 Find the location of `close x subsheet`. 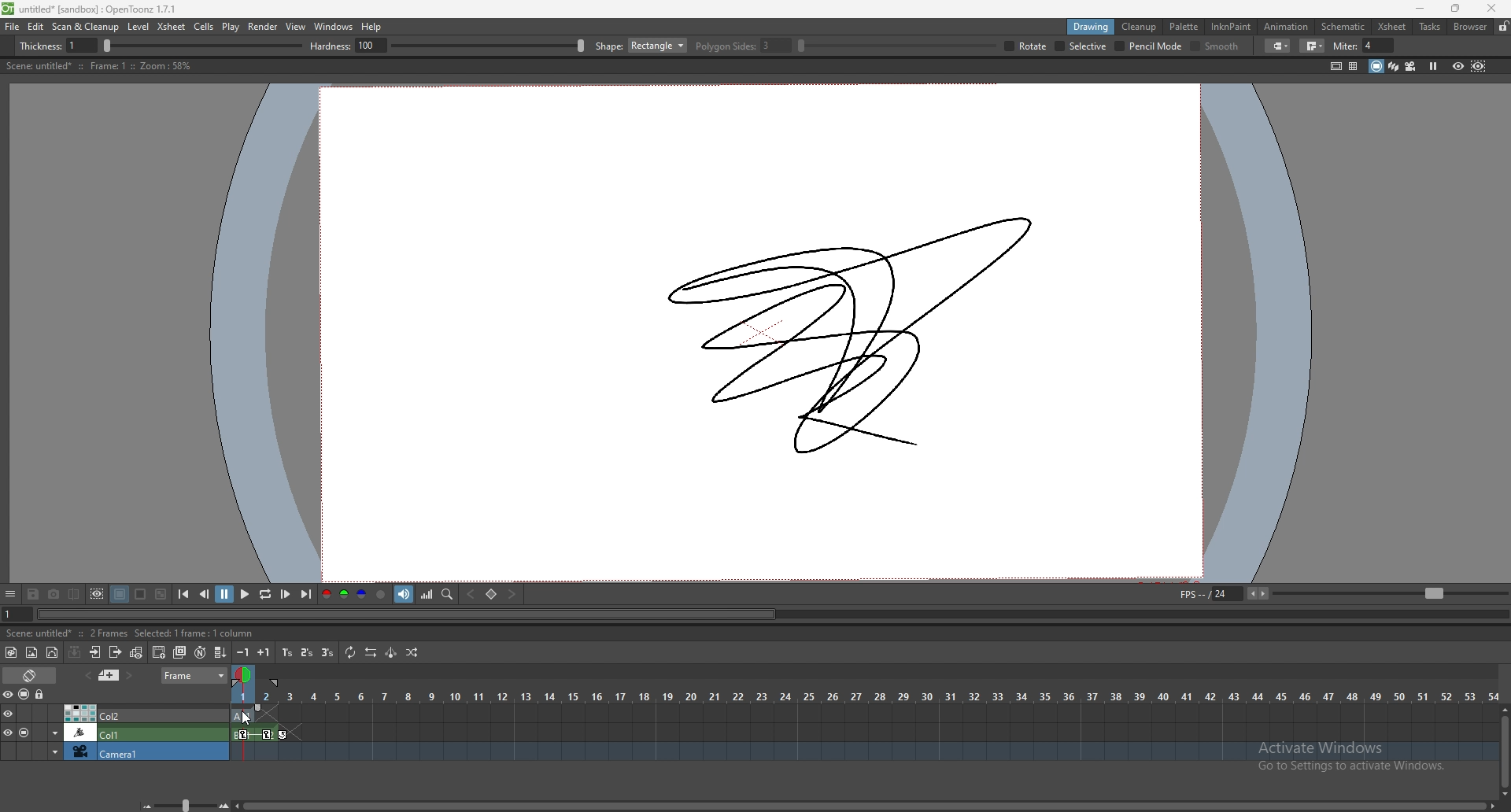

close x subsheet is located at coordinates (114, 652).